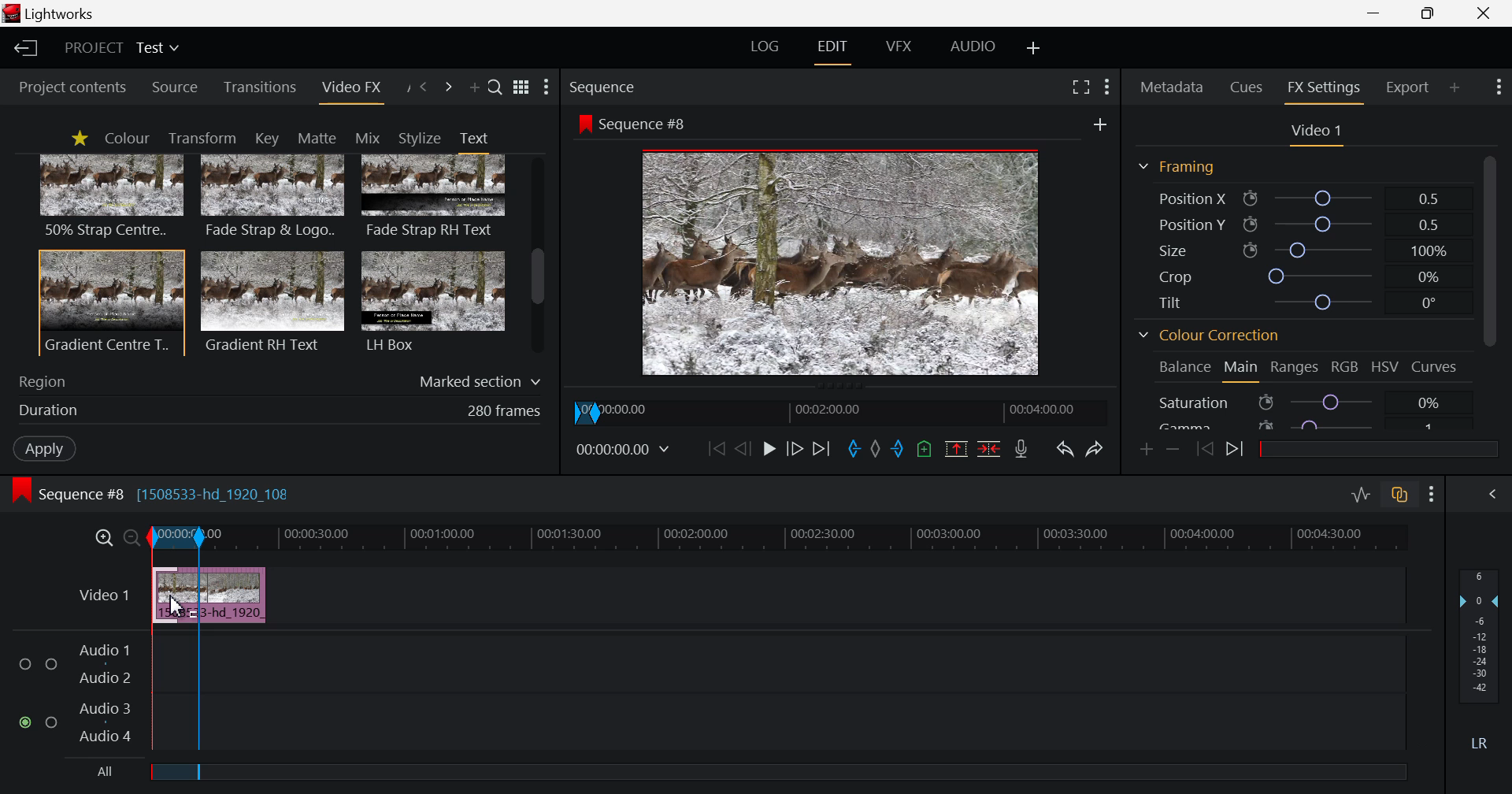 Image resolution: width=1512 pixels, height=794 pixels. What do you see at coordinates (102, 592) in the screenshot?
I see `Video Layer` at bounding box center [102, 592].